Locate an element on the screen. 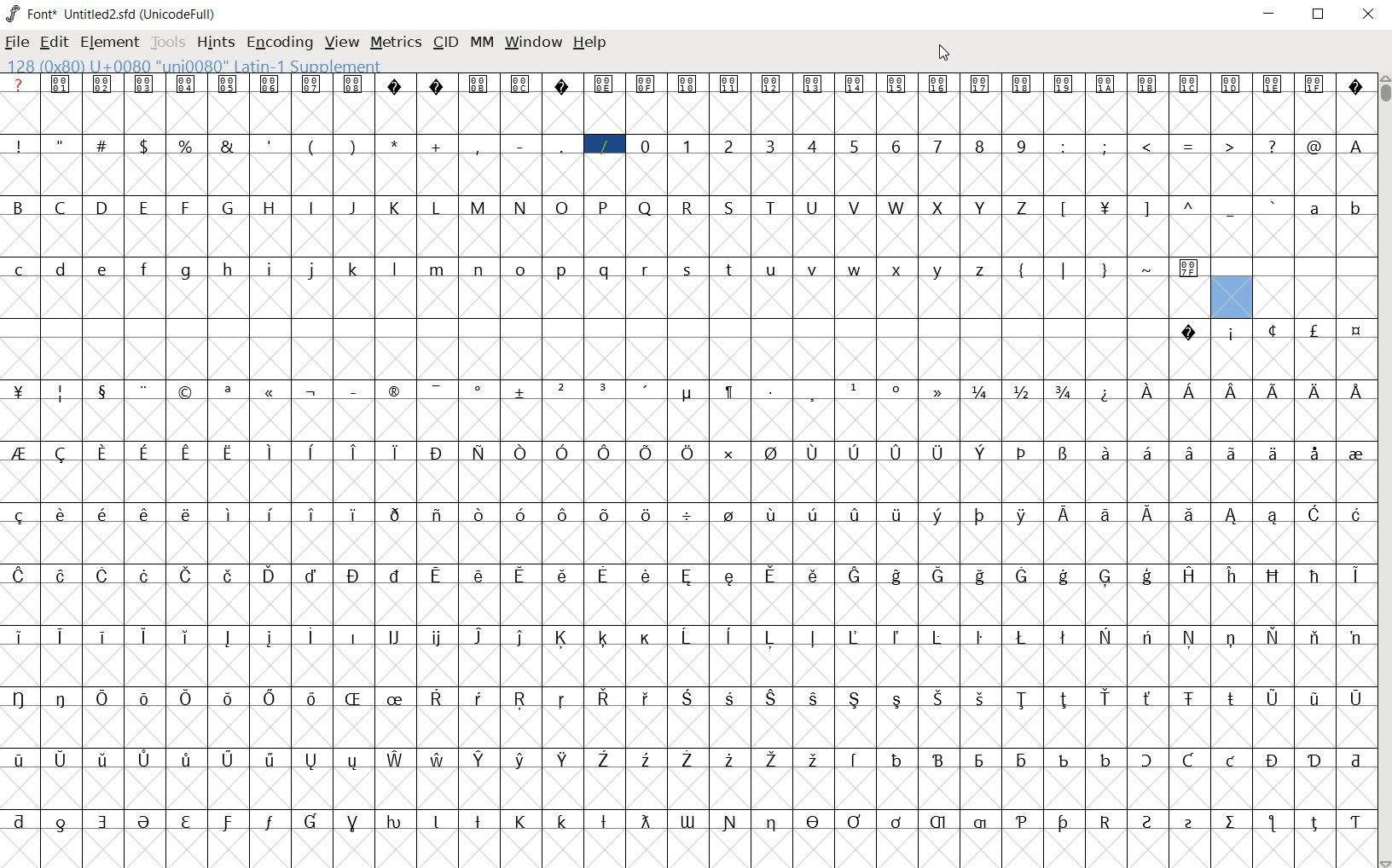 The image size is (1392, 868). glyph is located at coordinates (310, 514).